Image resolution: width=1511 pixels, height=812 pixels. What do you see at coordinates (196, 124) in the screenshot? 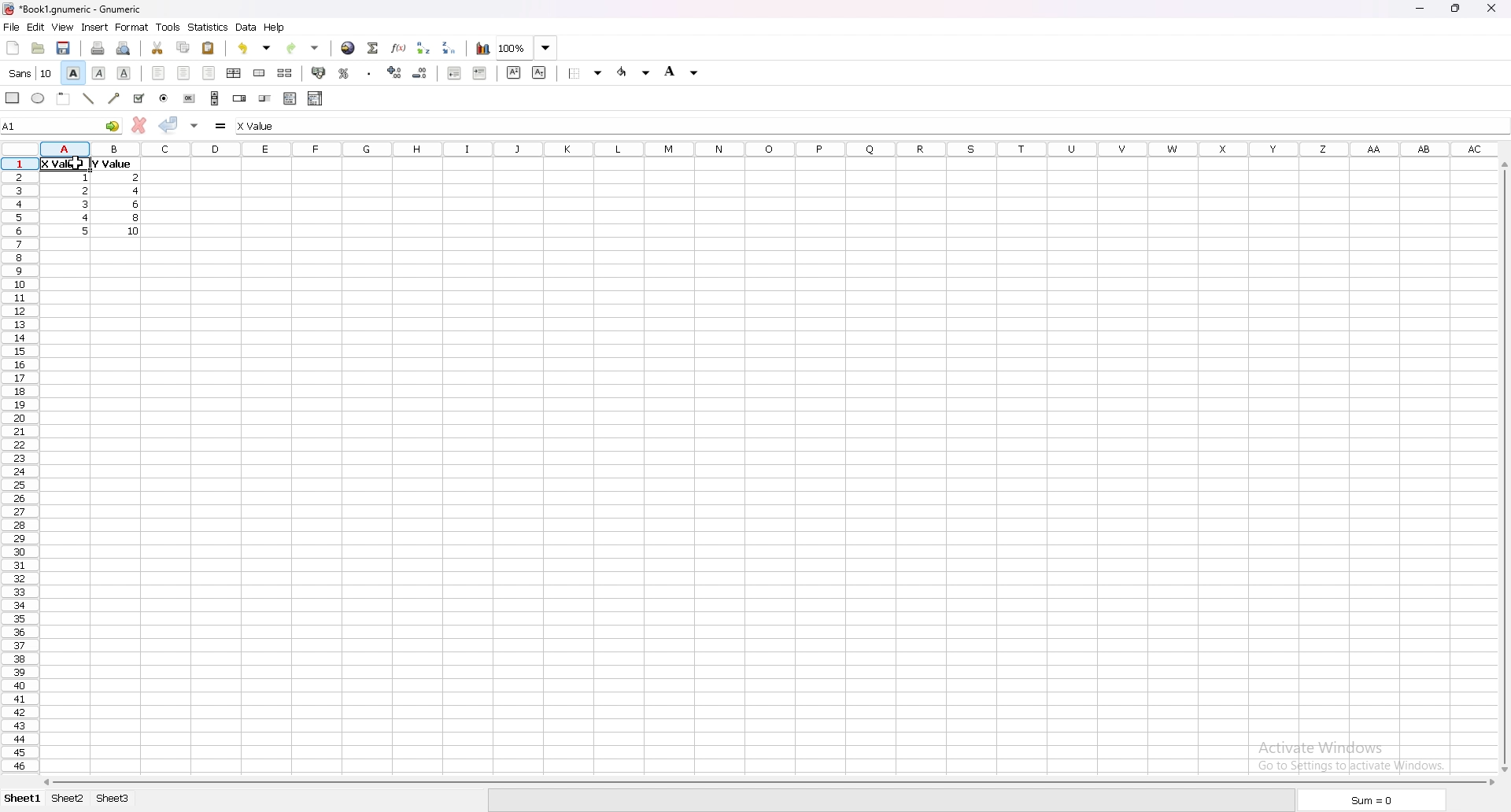
I see `accept change in multple cell` at bounding box center [196, 124].